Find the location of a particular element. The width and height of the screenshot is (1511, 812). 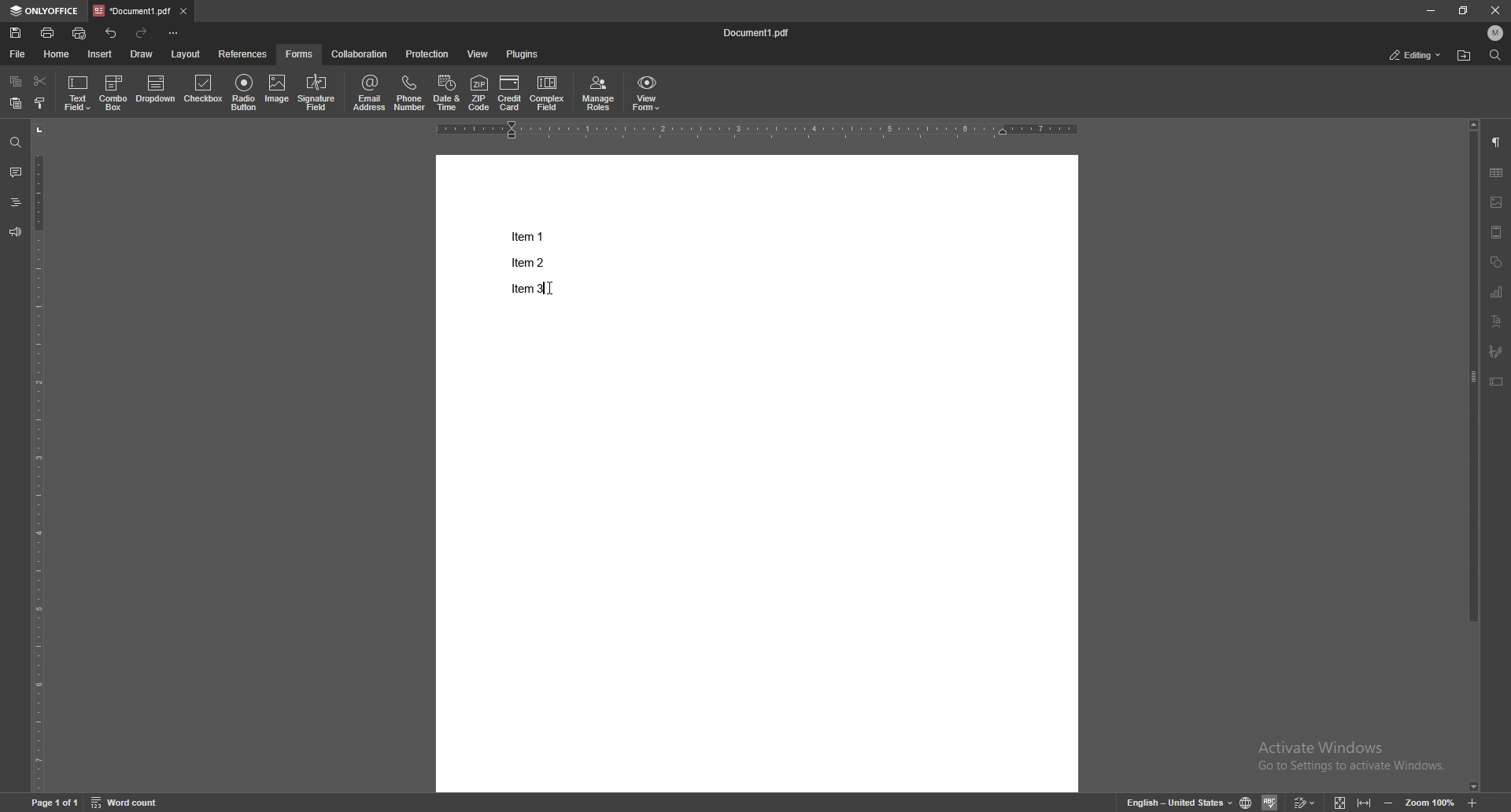

save is located at coordinates (16, 33).